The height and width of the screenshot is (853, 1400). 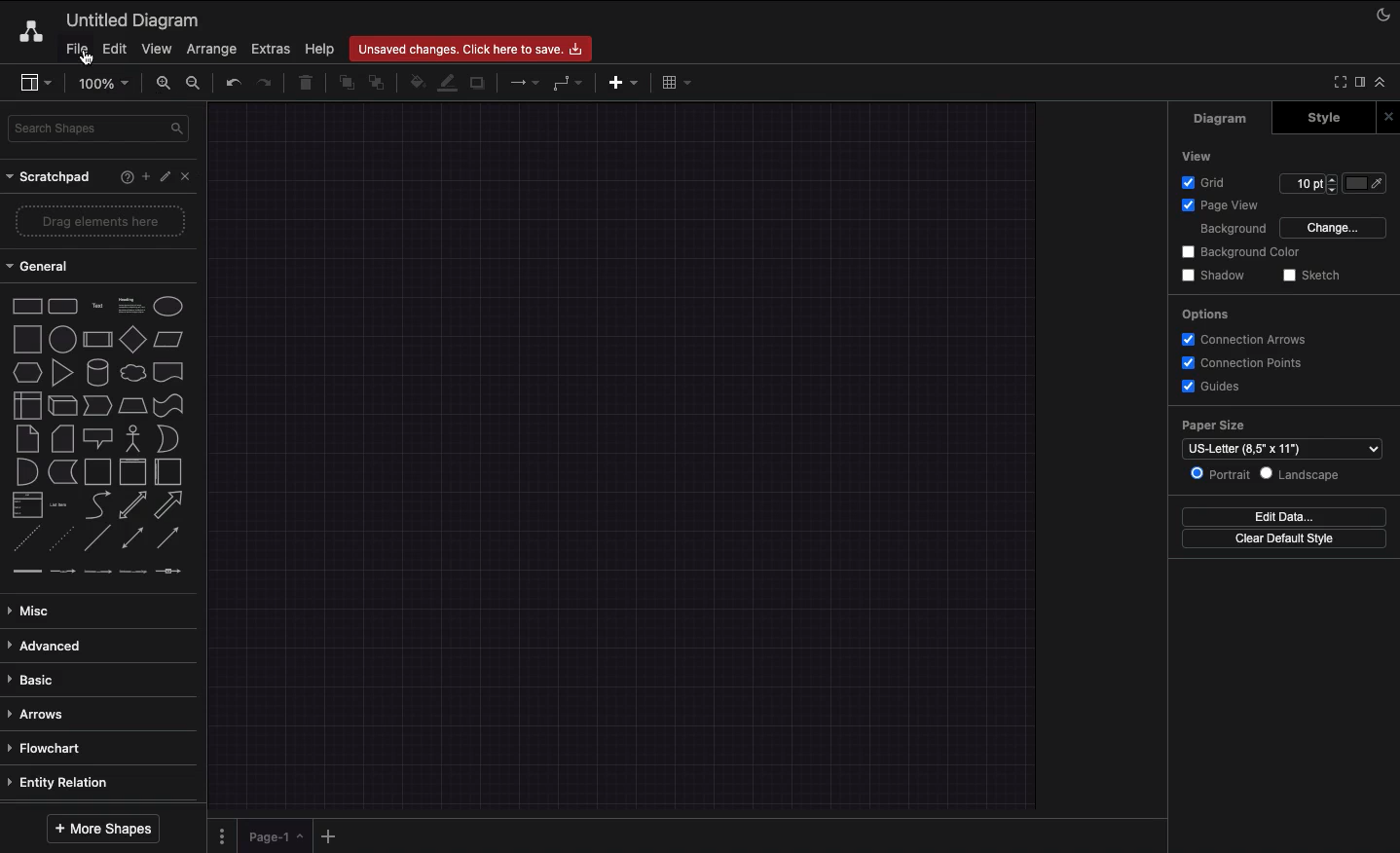 What do you see at coordinates (169, 505) in the screenshot?
I see `Arrow` at bounding box center [169, 505].